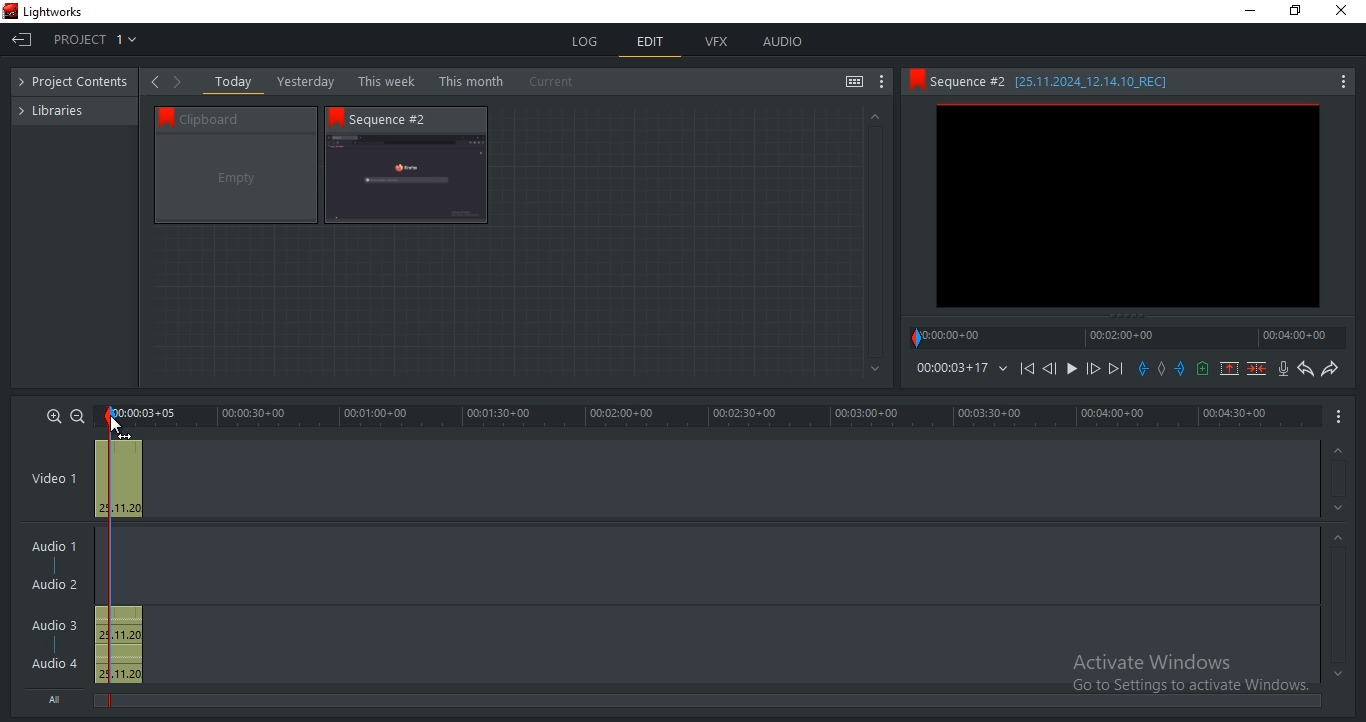  What do you see at coordinates (54, 585) in the screenshot?
I see `Audio 2` at bounding box center [54, 585].